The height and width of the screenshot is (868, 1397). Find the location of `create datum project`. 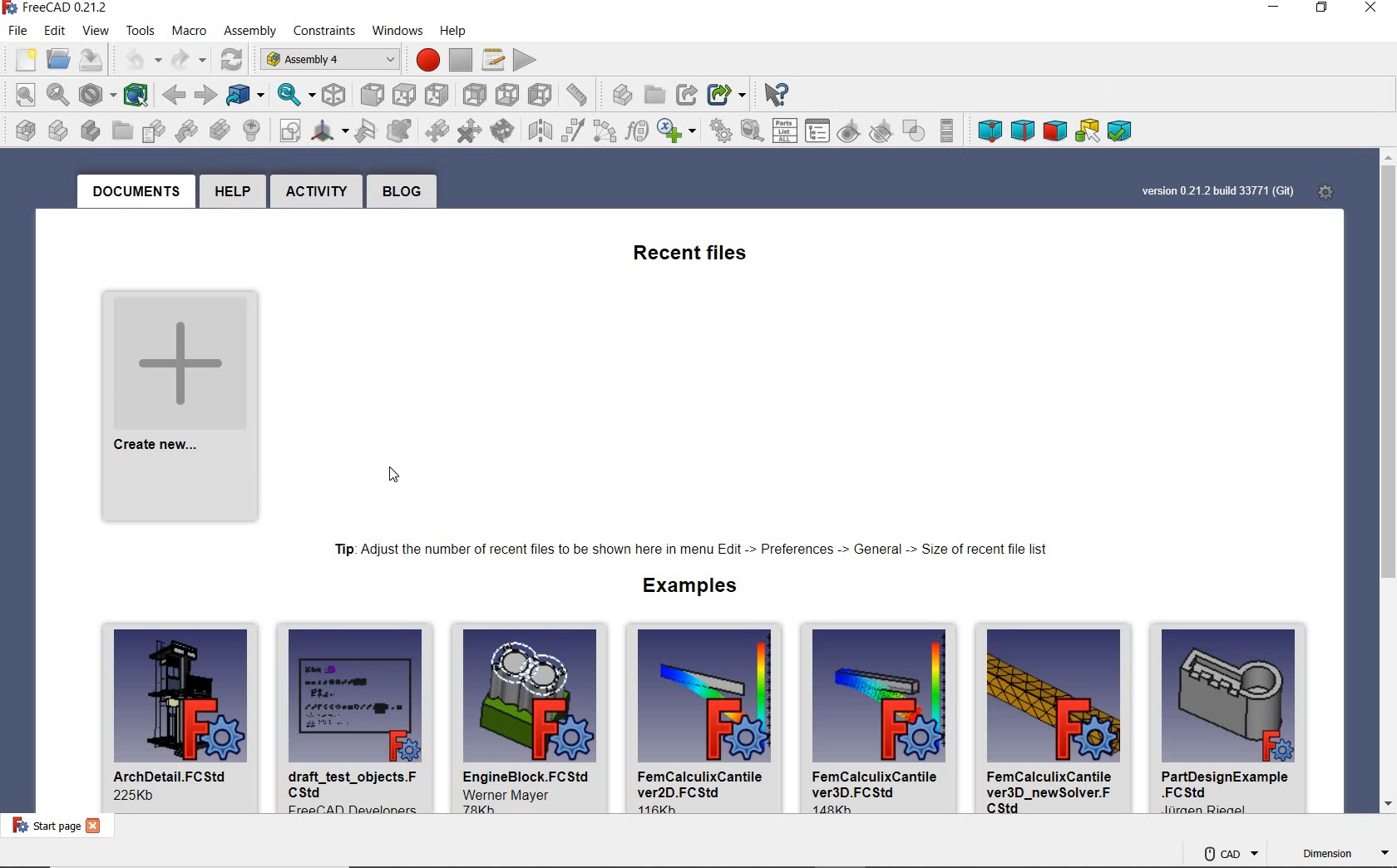

create datum project is located at coordinates (331, 131).